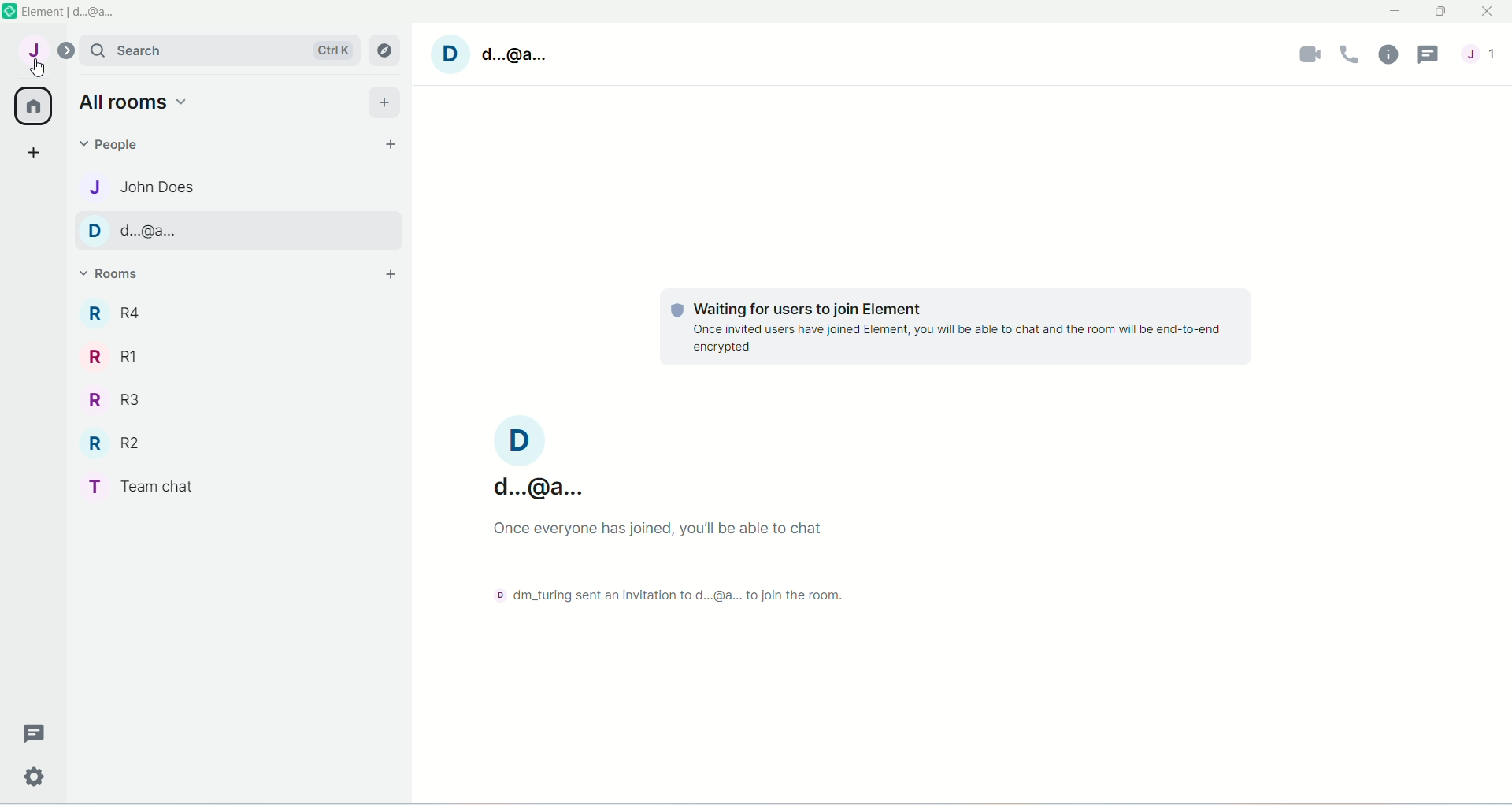 The image size is (1512, 805). What do you see at coordinates (1490, 10) in the screenshot?
I see `Close` at bounding box center [1490, 10].